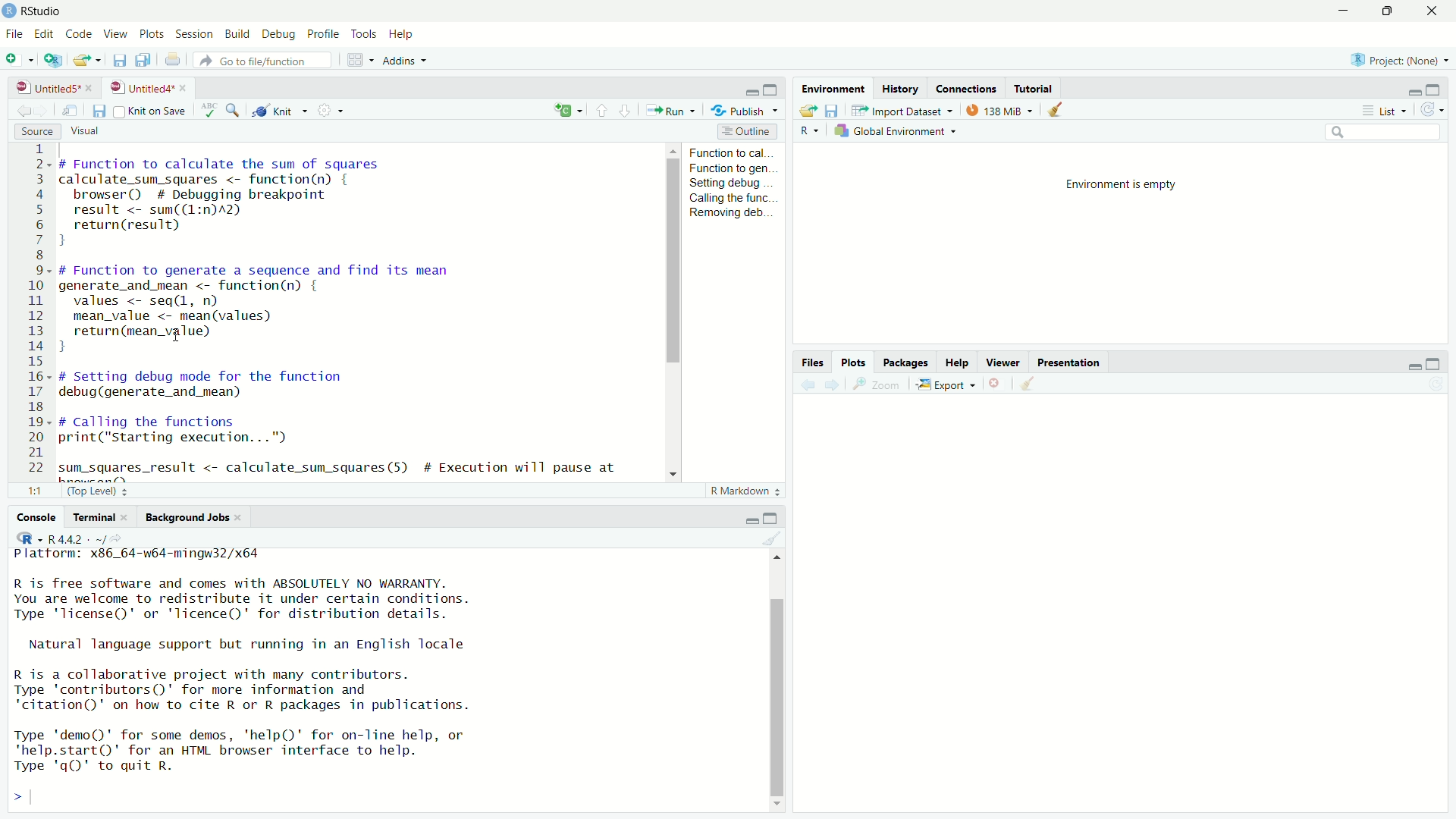 The height and width of the screenshot is (819, 1456). Describe the element at coordinates (34, 311) in the screenshot. I see `serial numbers` at that location.